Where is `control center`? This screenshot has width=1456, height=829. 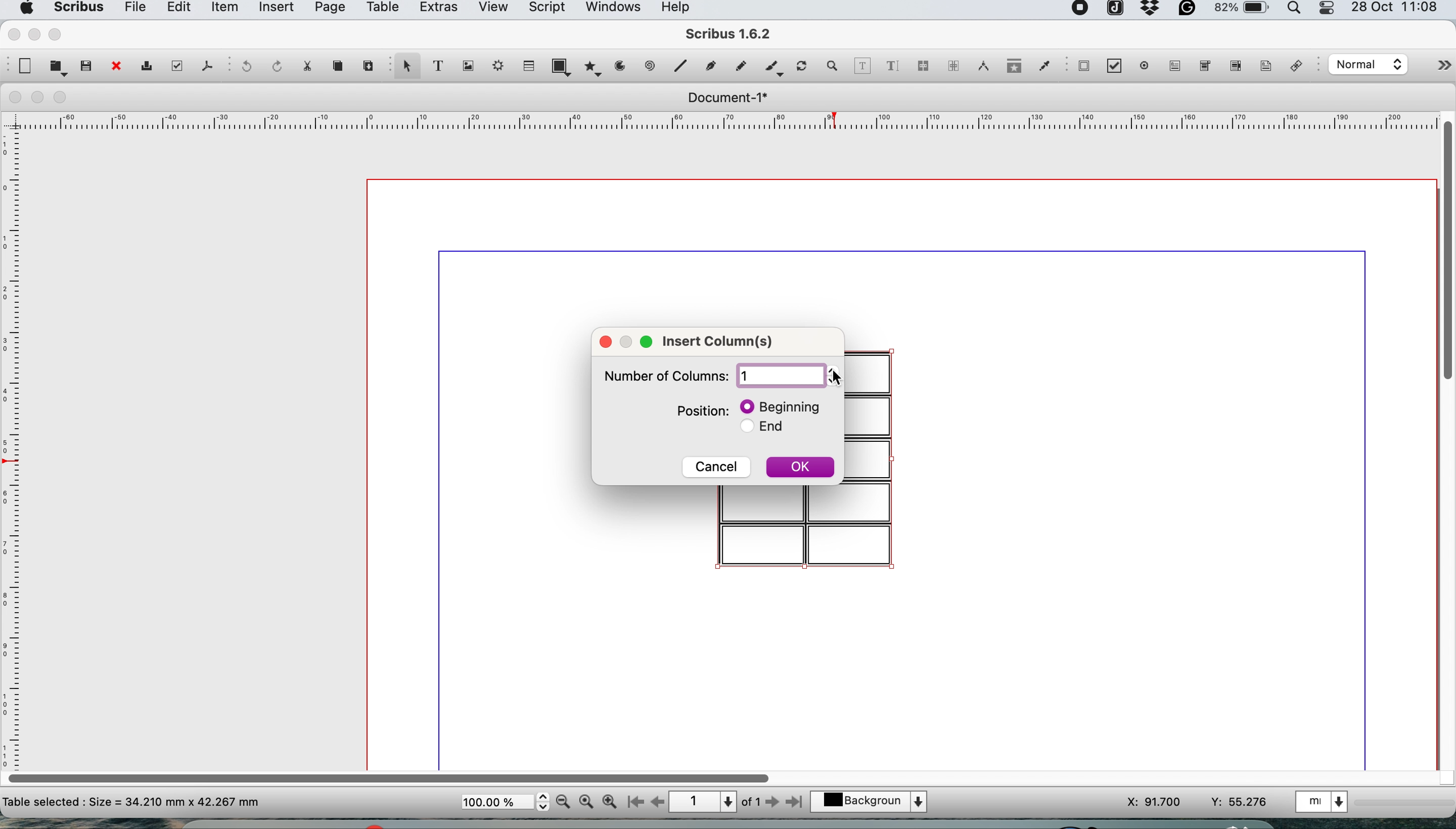 control center is located at coordinates (1328, 9).